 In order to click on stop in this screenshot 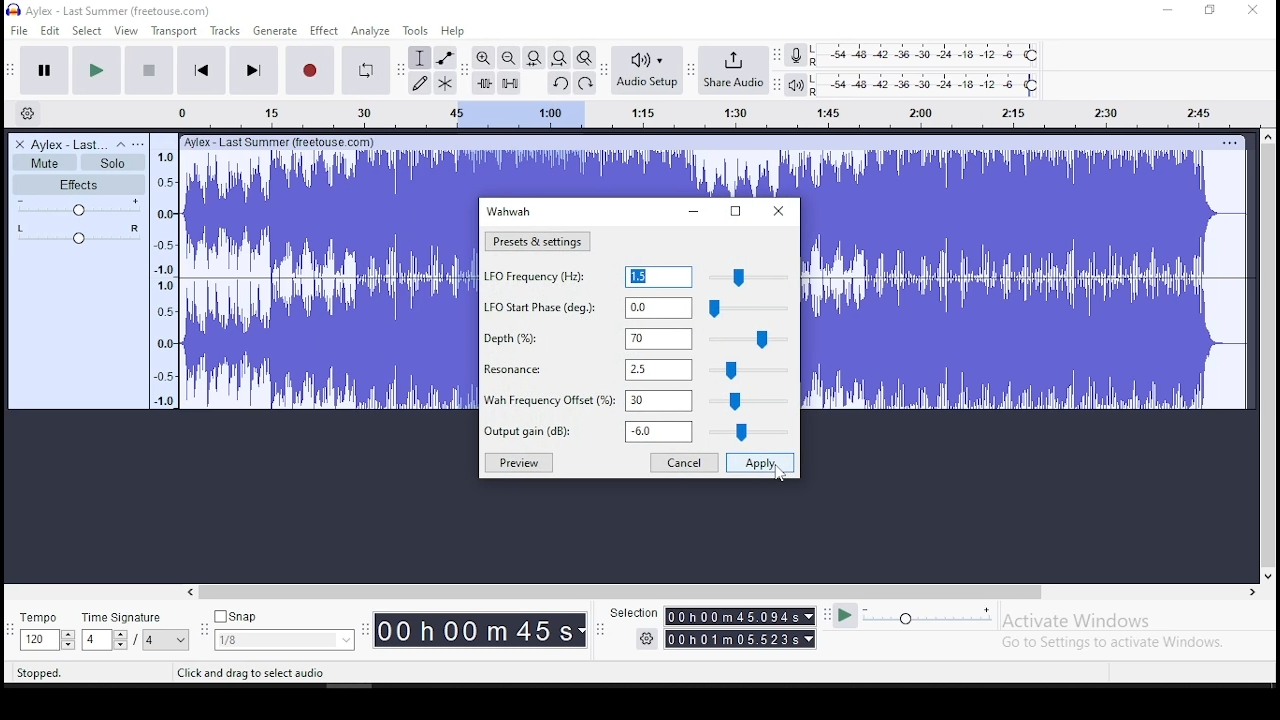, I will do `click(149, 70)`.